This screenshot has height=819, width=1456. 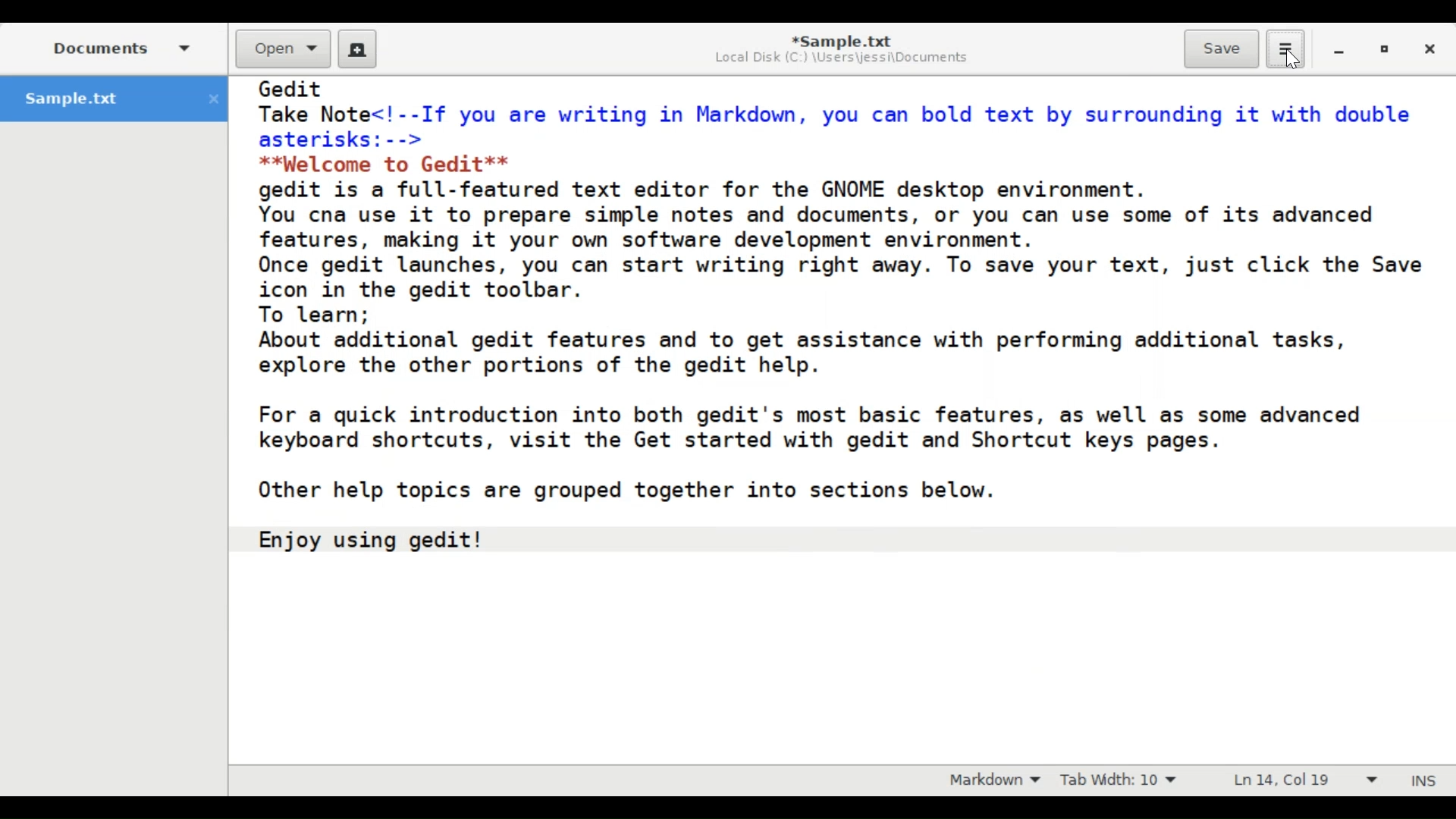 I want to click on Cursor, so click(x=1288, y=60).